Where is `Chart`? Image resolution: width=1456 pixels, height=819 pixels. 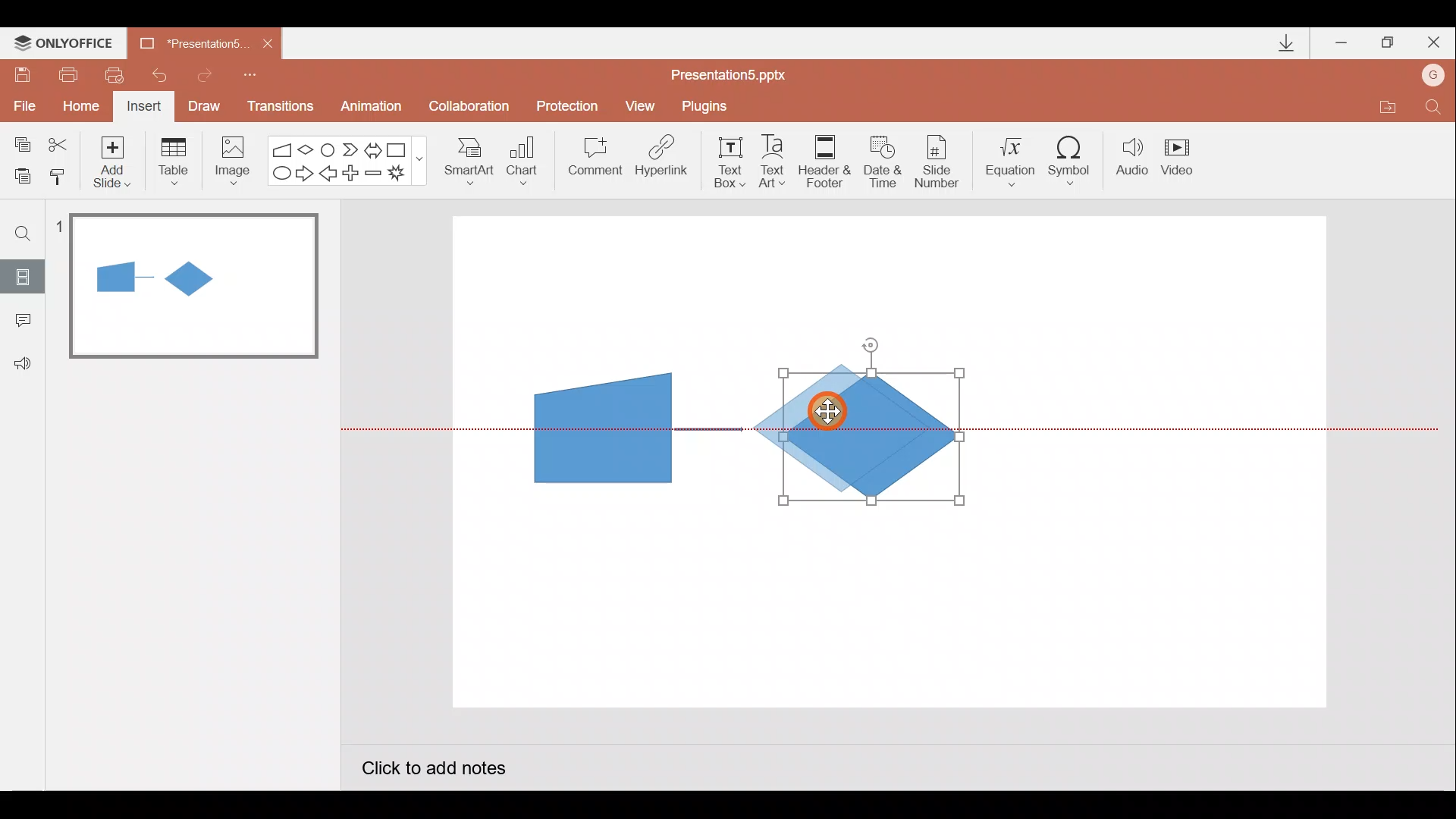
Chart is located at coordinates (522, 158).